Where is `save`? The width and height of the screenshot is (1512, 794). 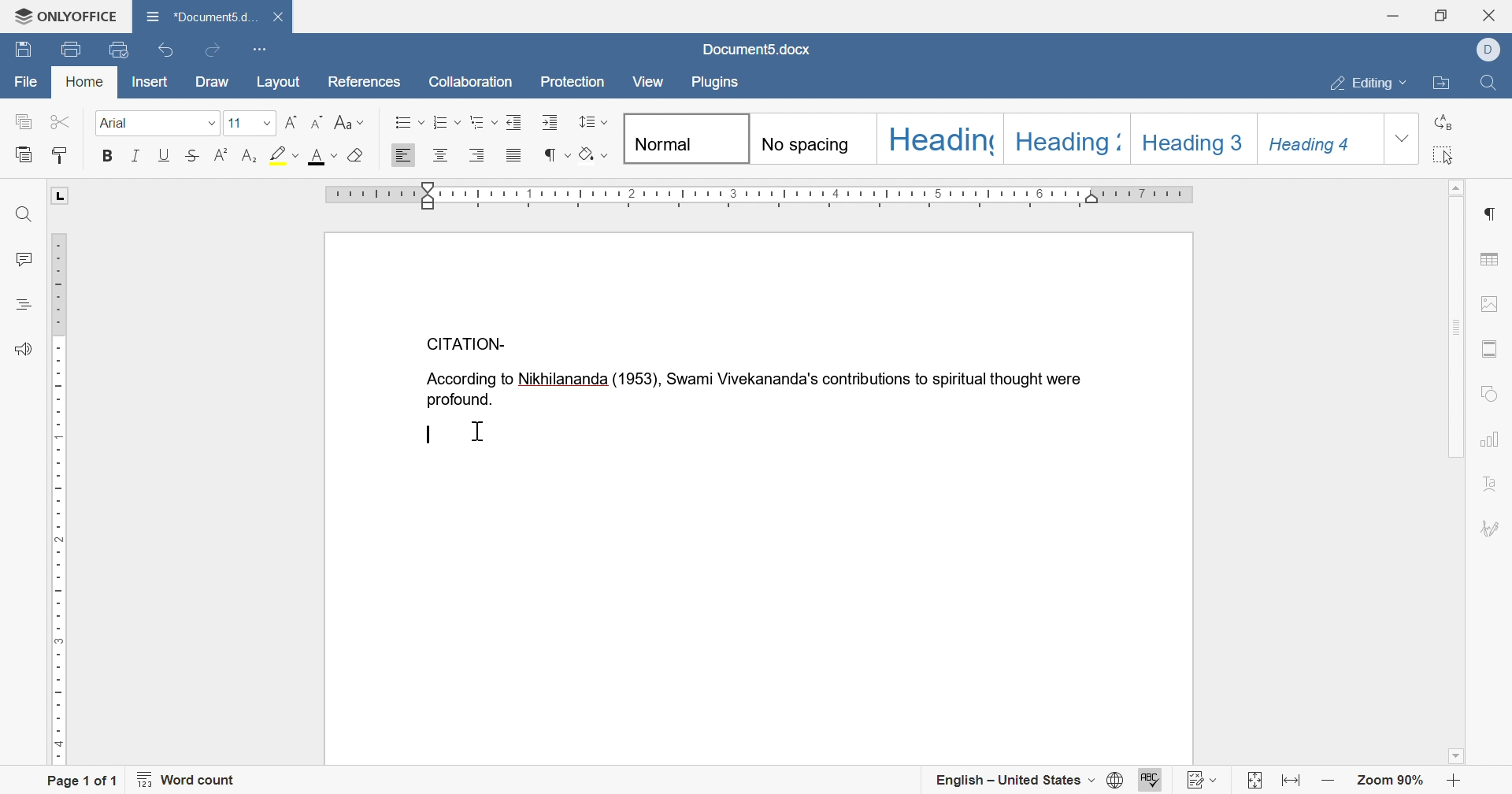
save is located at coordinates (23, 52).